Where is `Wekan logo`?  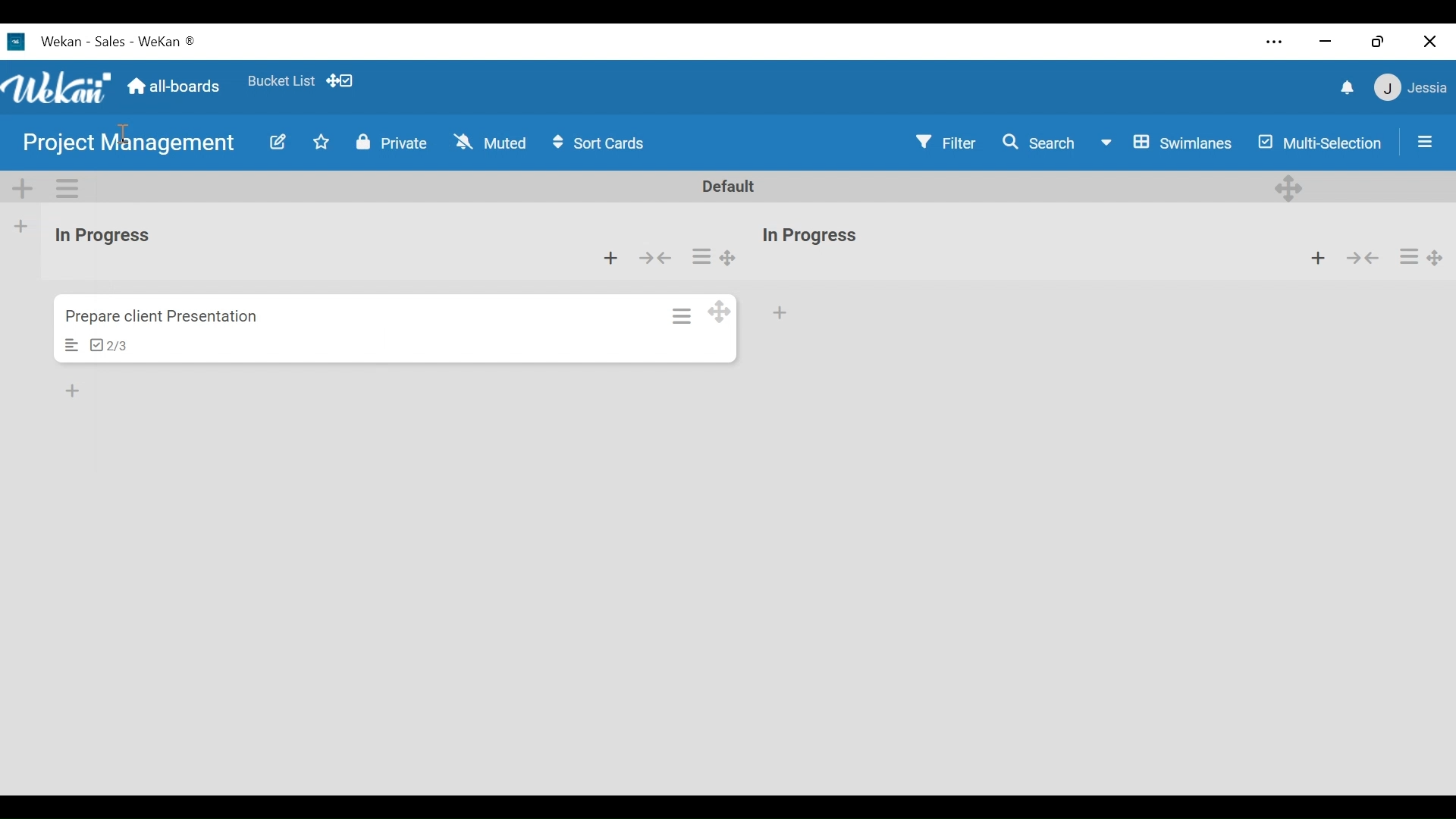
Wekan logo is located at coordinates (56, 88).